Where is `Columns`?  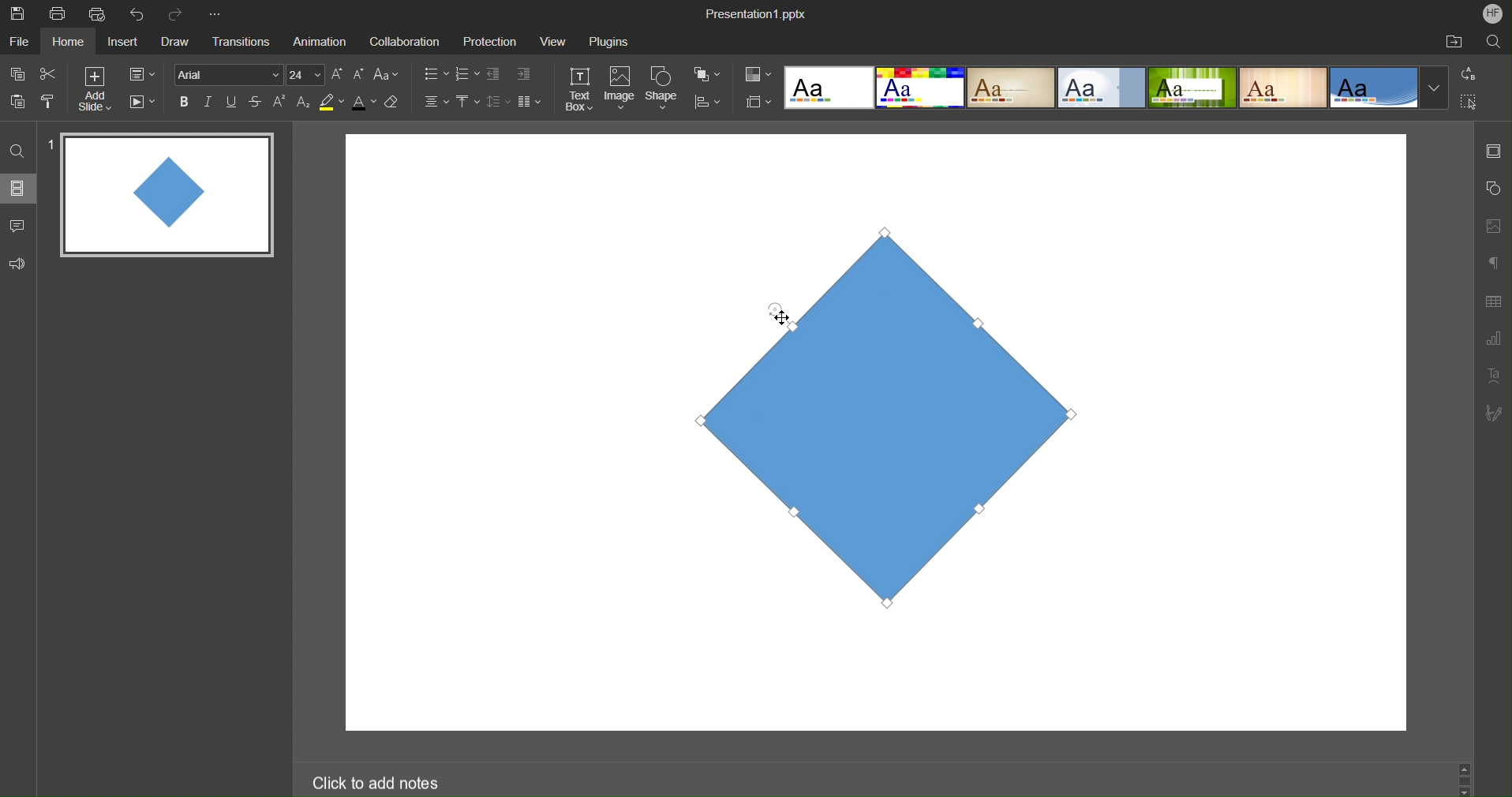 Columns is located at coordinates (530, 103).